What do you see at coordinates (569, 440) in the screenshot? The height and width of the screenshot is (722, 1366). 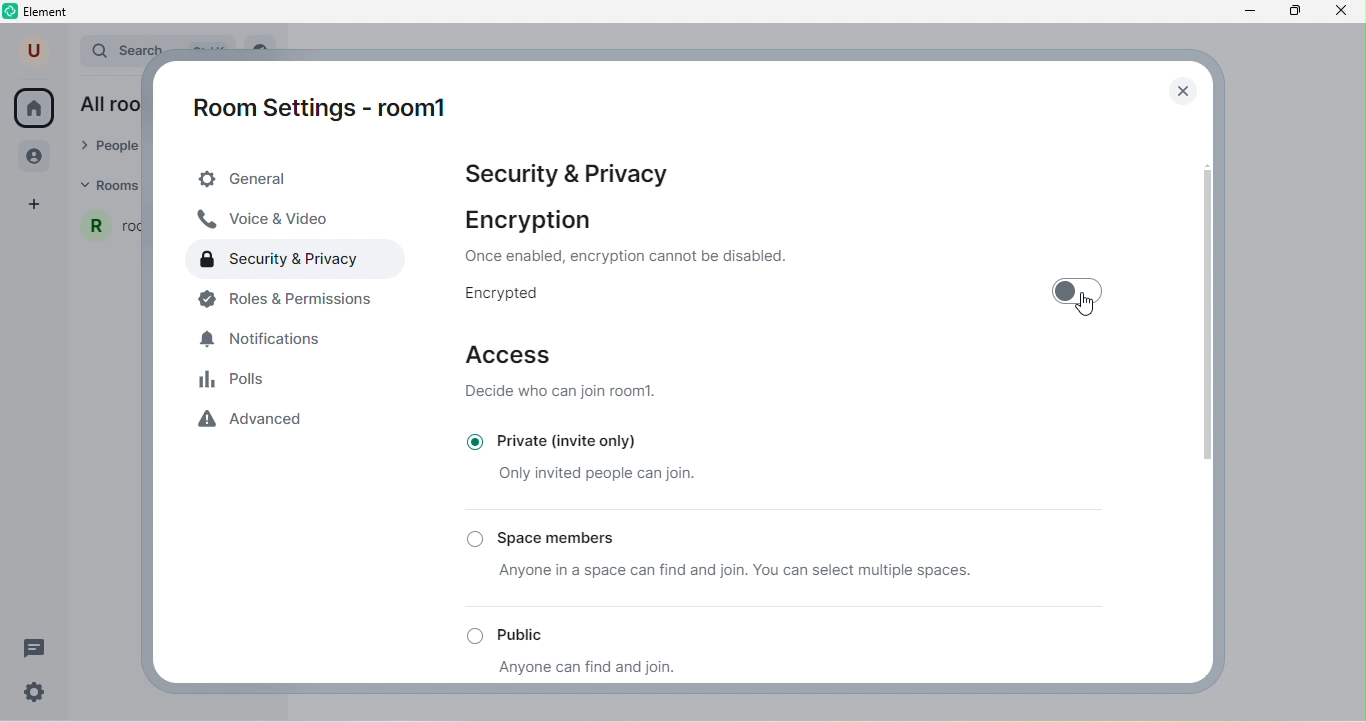 I see `private` at bounding box center [569, 440].